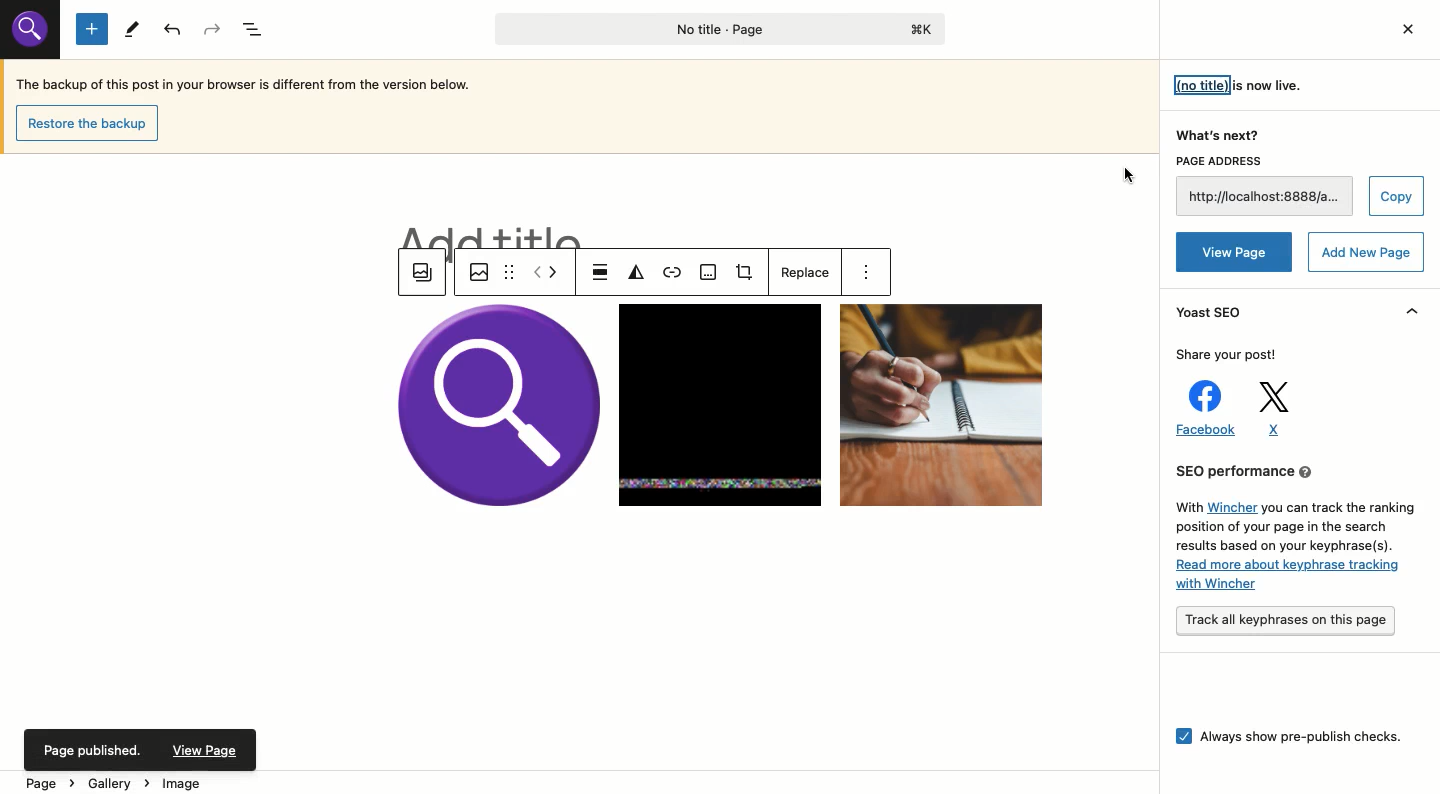 The height and width of the screenshot is (794, 1440). Describe the element at coordinates (216, 28) in the screenshot. I see `Redo` at that location.